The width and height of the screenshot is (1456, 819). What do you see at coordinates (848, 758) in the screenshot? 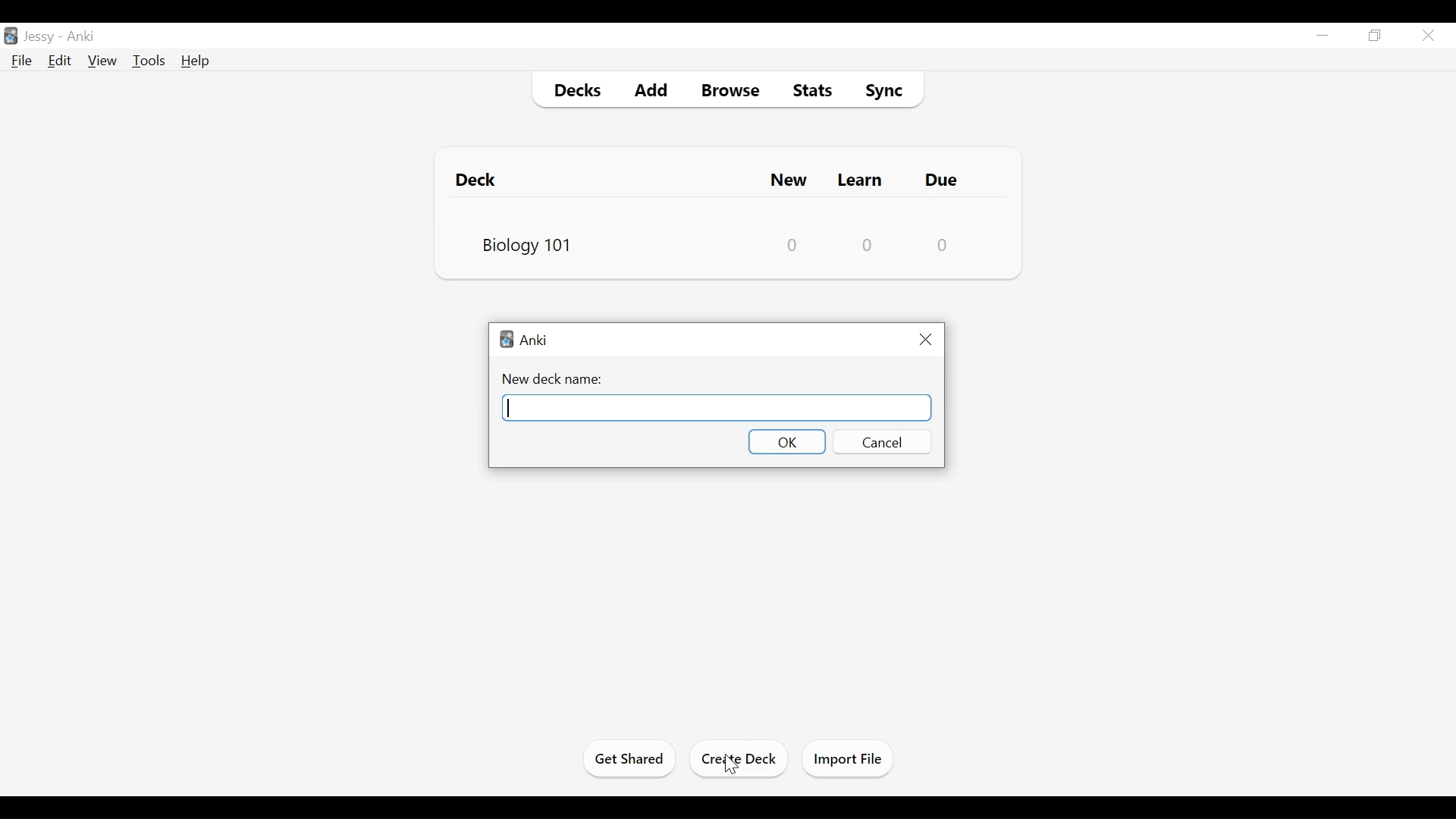
I see `Import Files` at bounding box center [848, 758].